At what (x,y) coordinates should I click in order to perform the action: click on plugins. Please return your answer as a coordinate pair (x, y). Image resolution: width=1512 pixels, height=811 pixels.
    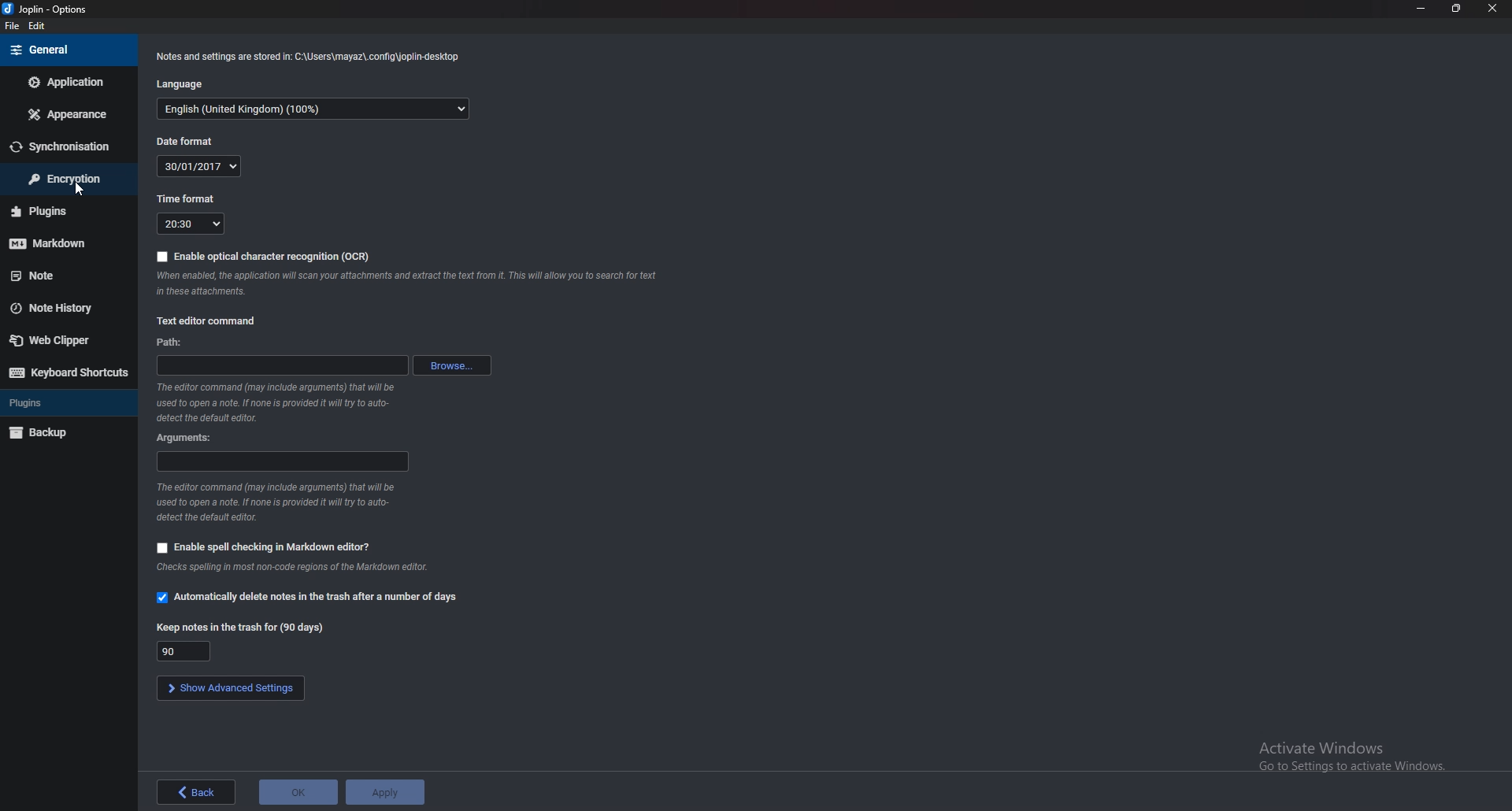
    Looking at the image, I should click on (61, 402).